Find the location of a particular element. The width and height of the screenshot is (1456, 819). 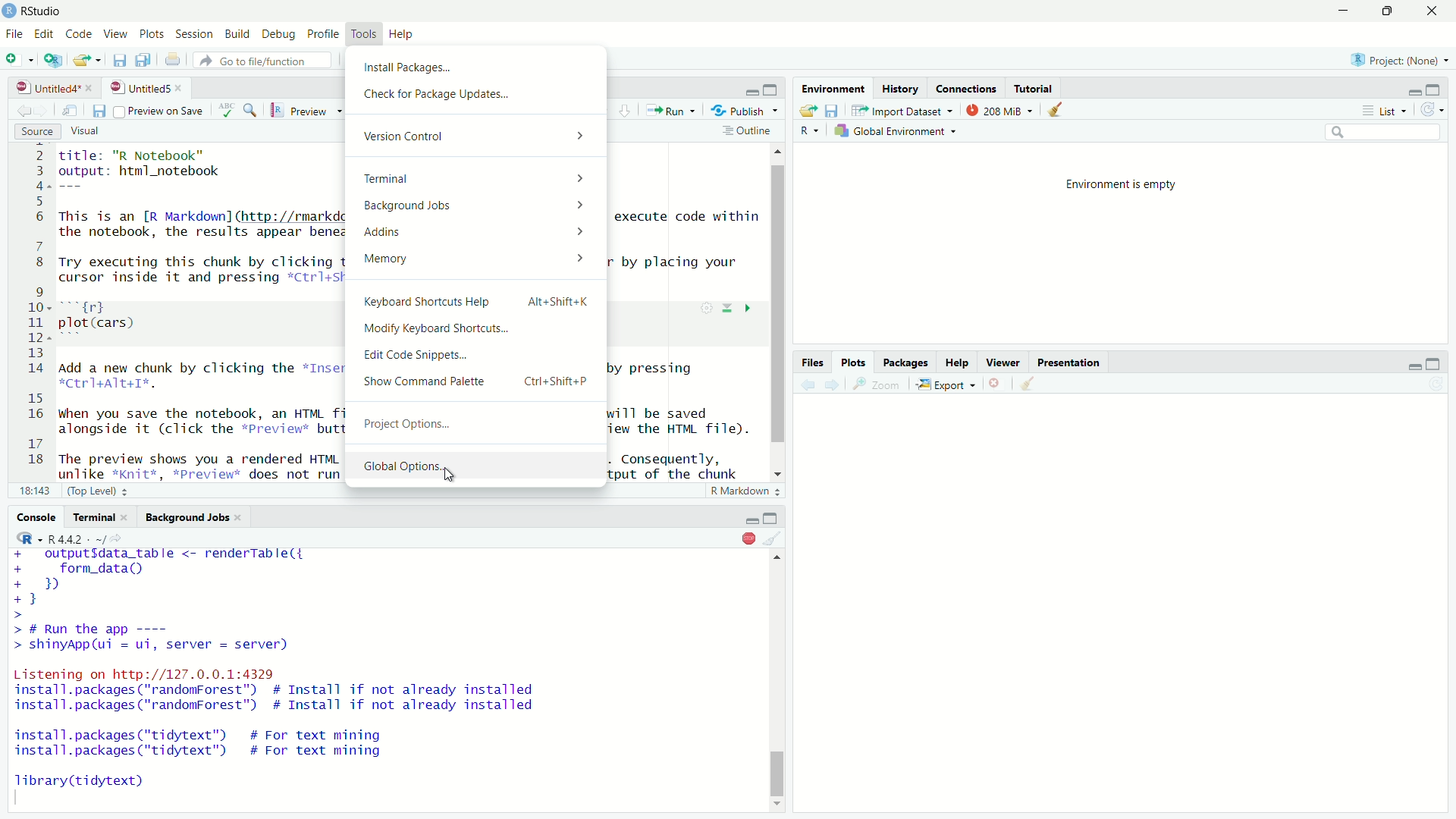

Show Command Palette Ctrl+Shift+P is located at coordinates (476, 381).